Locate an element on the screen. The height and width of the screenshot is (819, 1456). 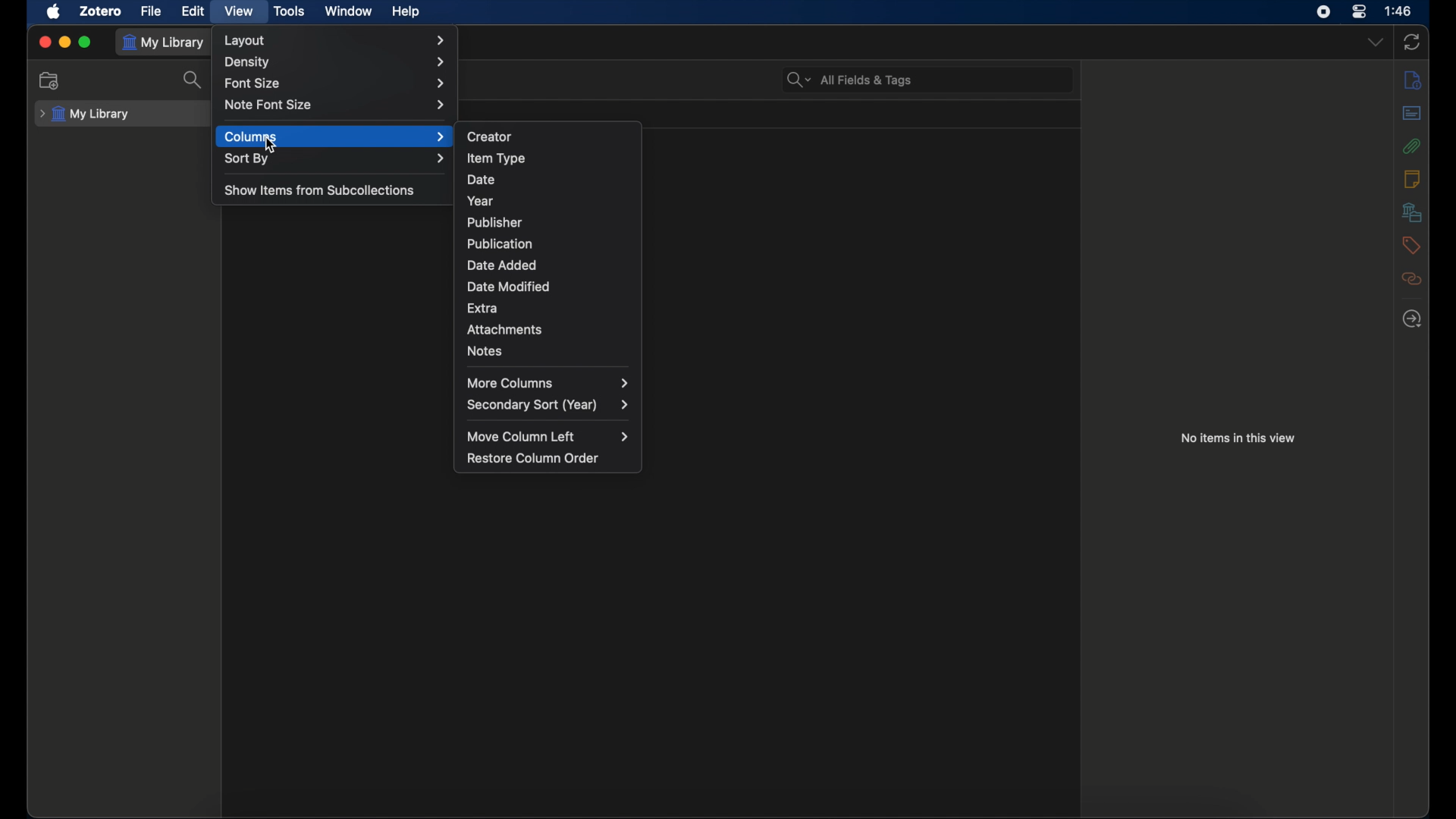
sync is located at coordinates (1411, 42).